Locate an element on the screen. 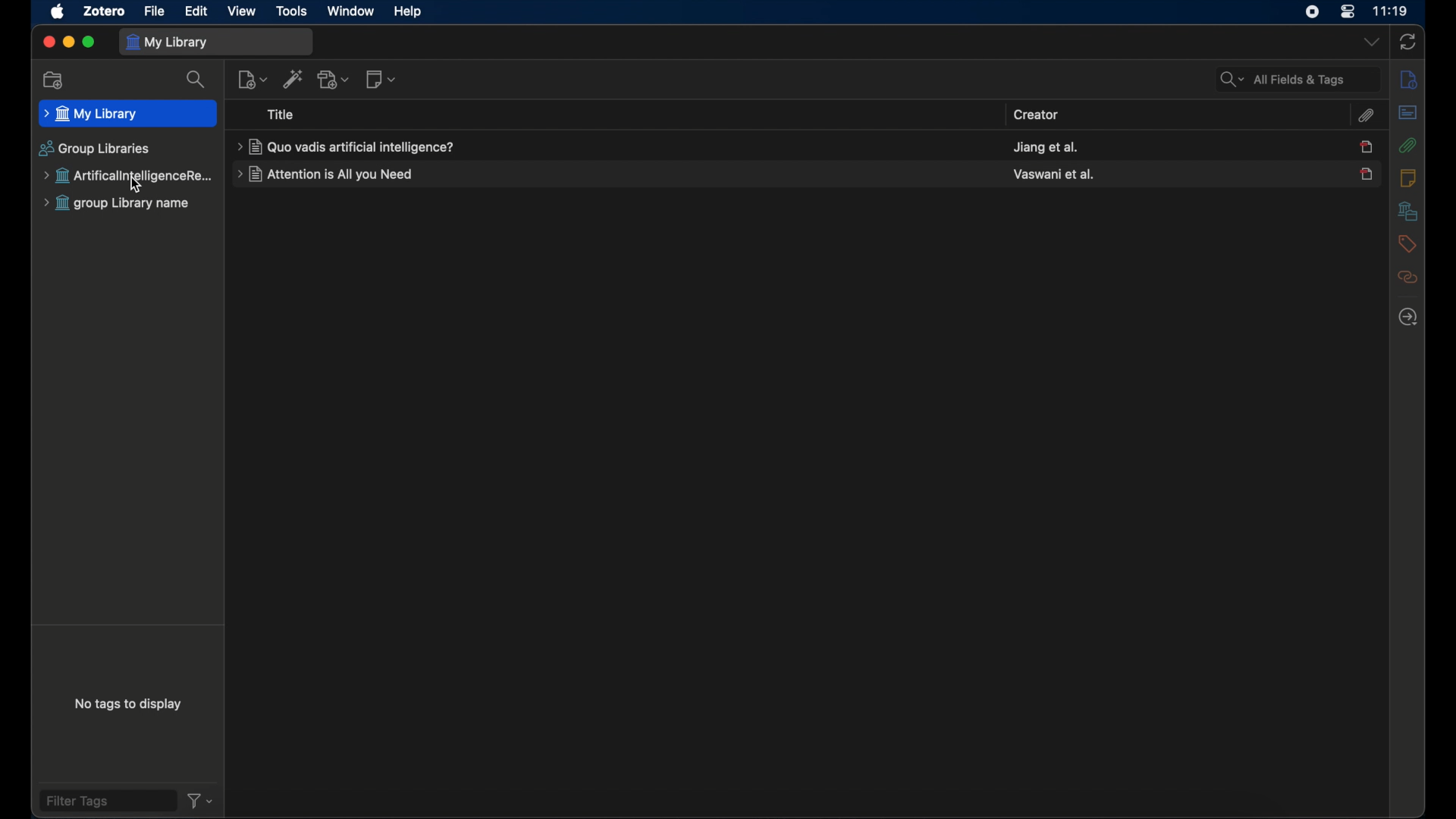 The height and width of the screenshot is (819, 1456). creator is located at coordinates (1037, 115).